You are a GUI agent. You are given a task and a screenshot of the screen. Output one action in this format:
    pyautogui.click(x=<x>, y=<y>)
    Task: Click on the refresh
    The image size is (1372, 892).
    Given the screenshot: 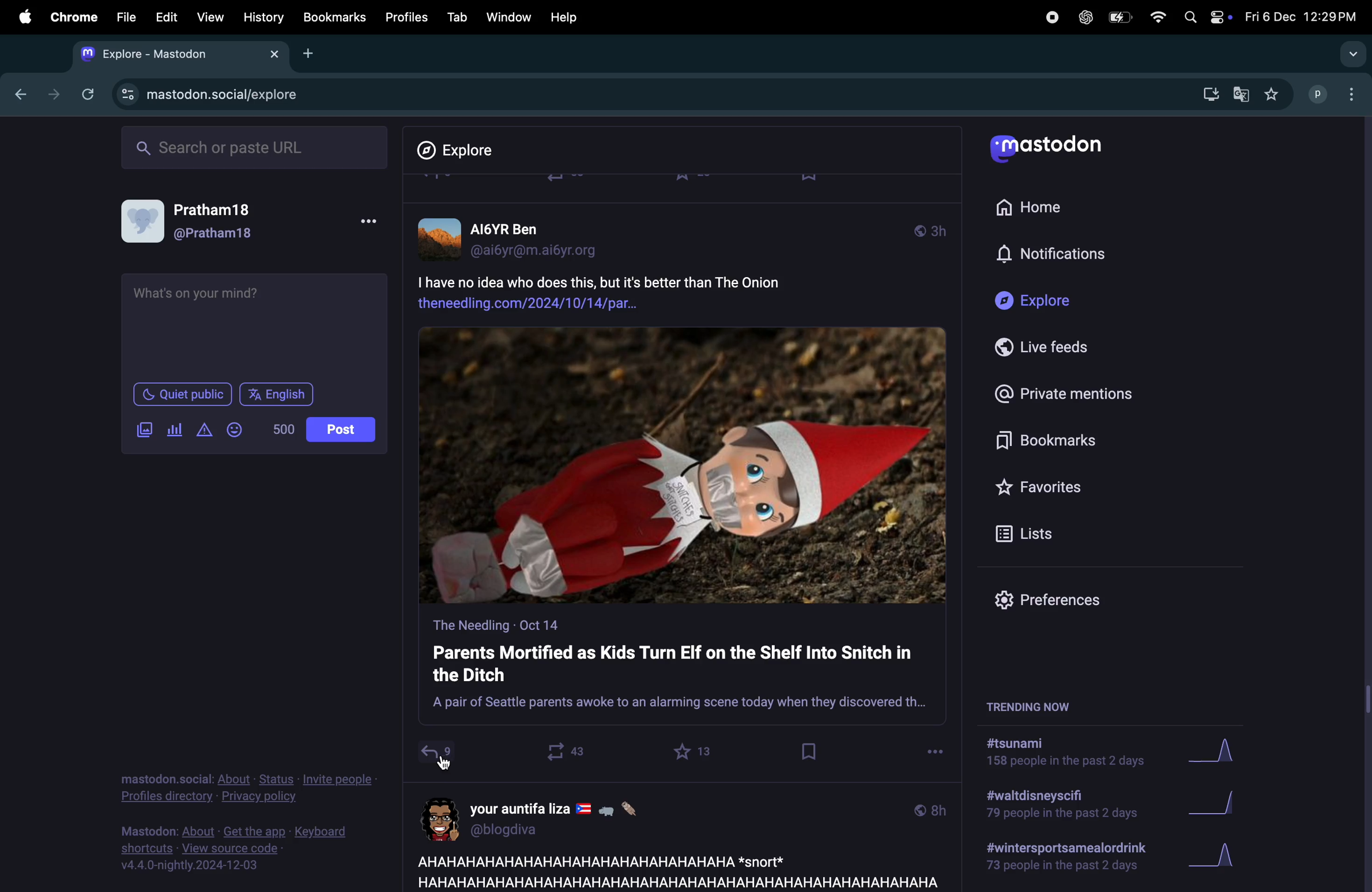 What is the action you would take?
    pyautogui.click(x=85, y=94)
    